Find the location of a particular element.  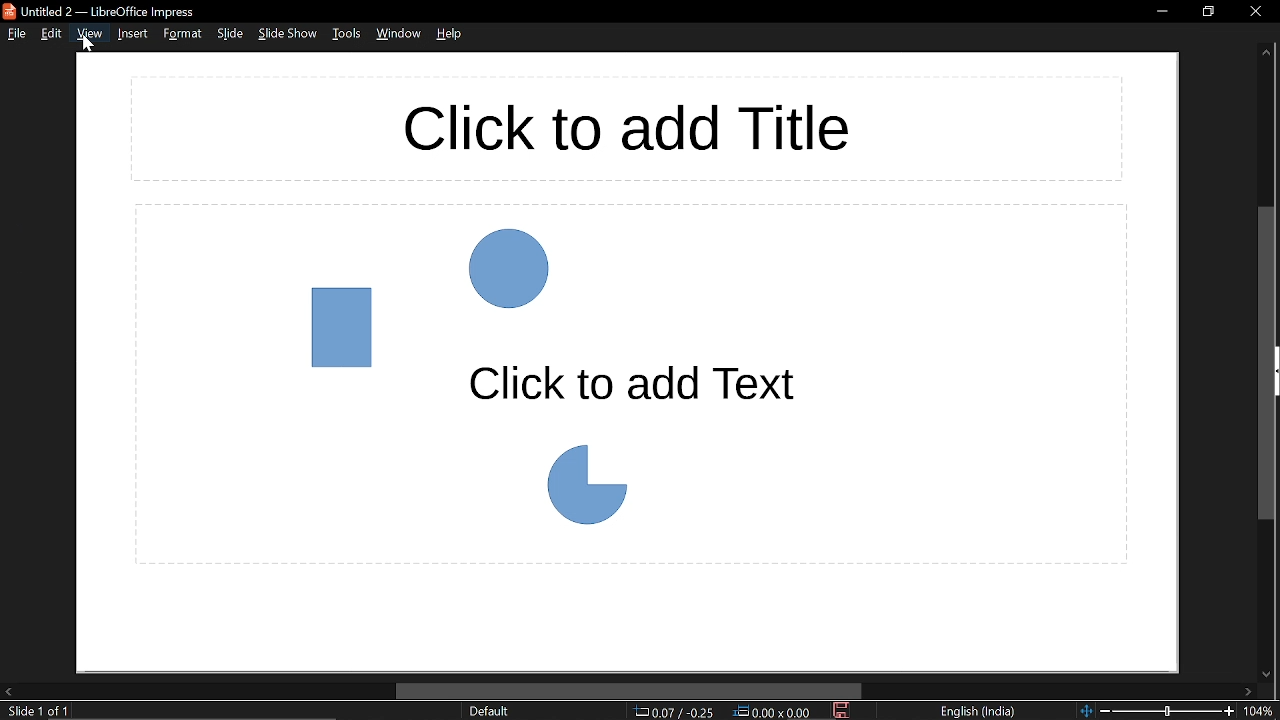

Slide show is located at coordinates (290, 35).